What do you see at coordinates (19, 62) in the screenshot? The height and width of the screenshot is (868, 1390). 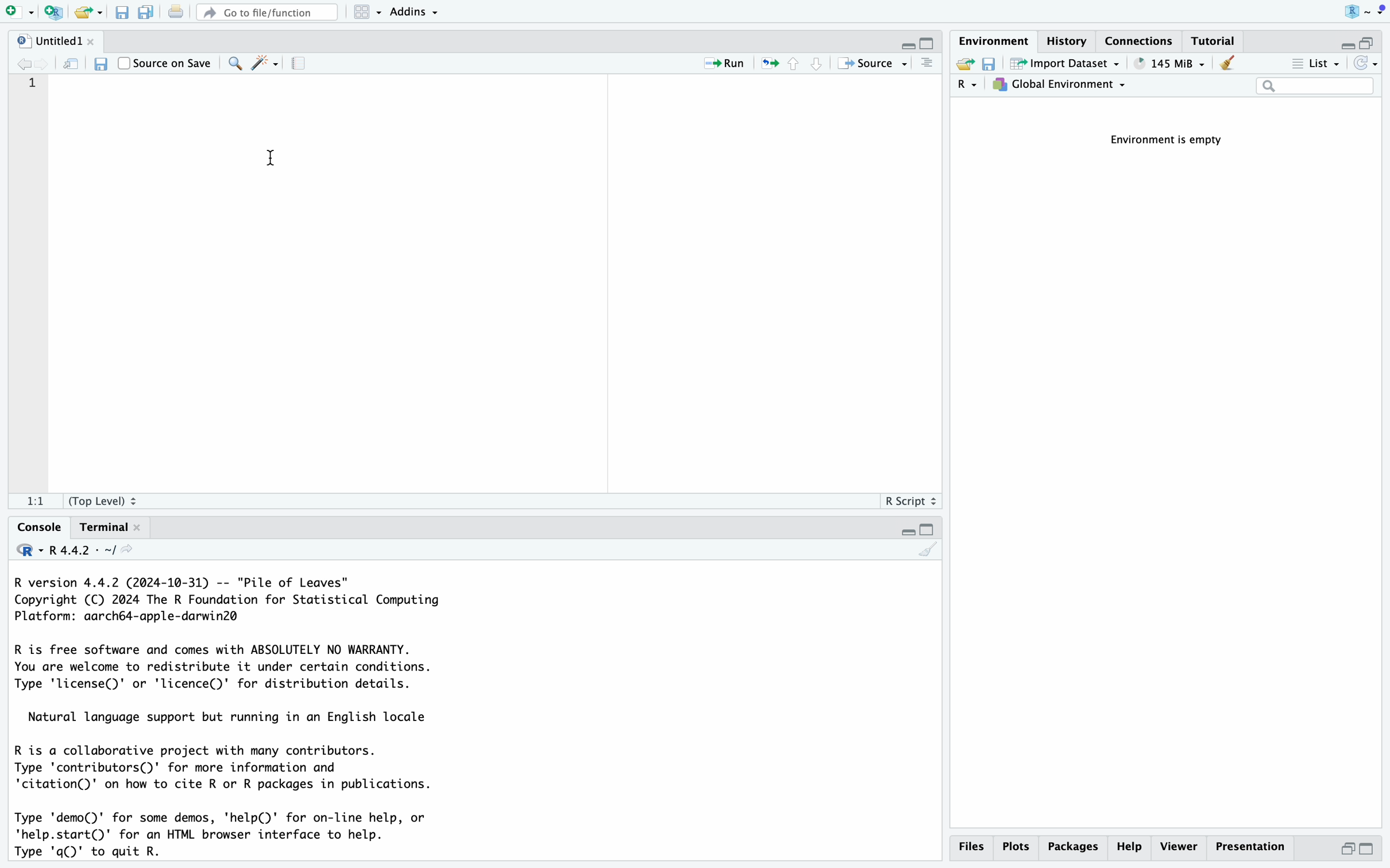 I see `go back to the previous source location` at bounding box center [19, 62].